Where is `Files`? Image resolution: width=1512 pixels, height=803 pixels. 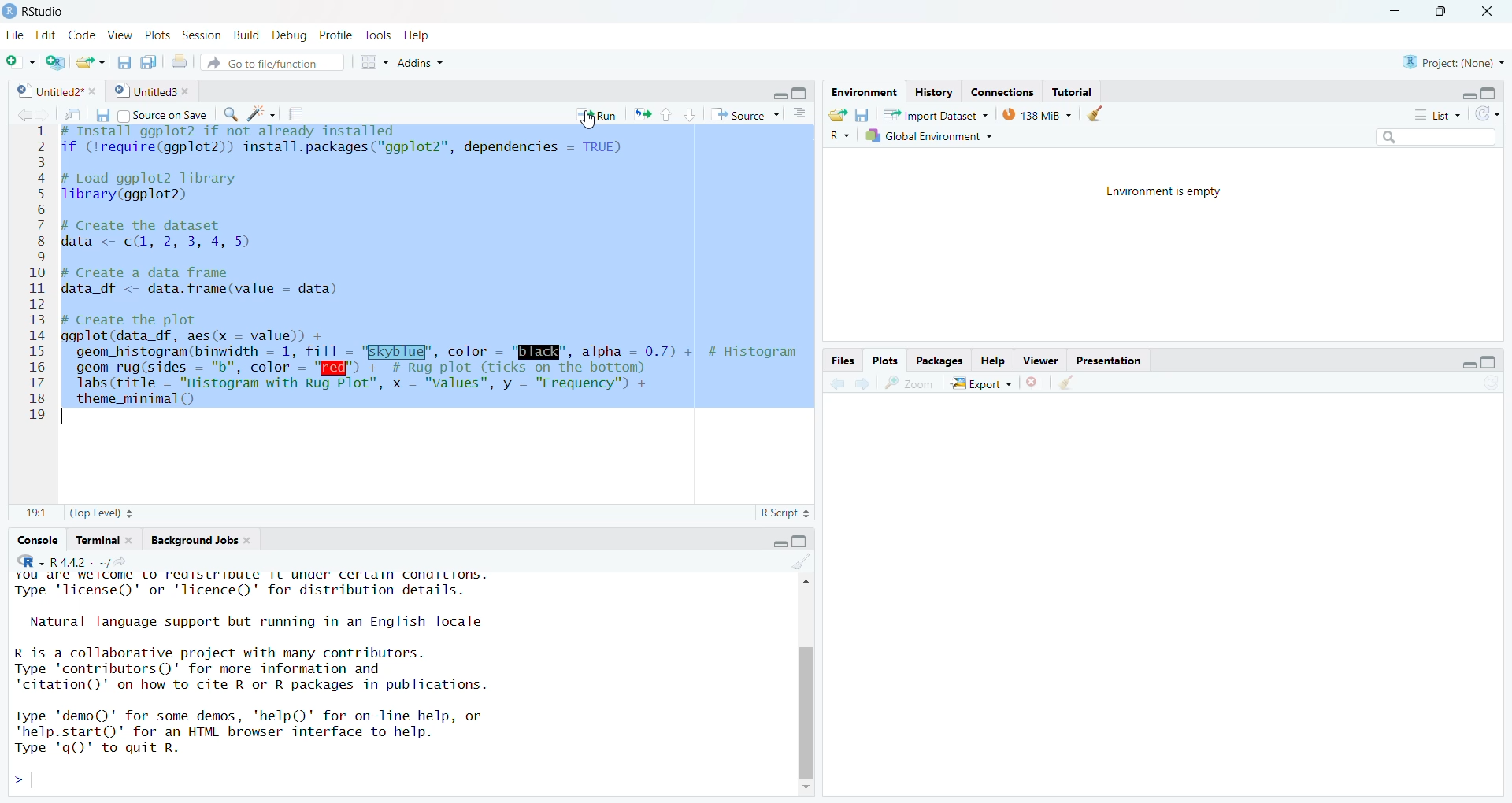
Files is located at coordinates (839, 358).